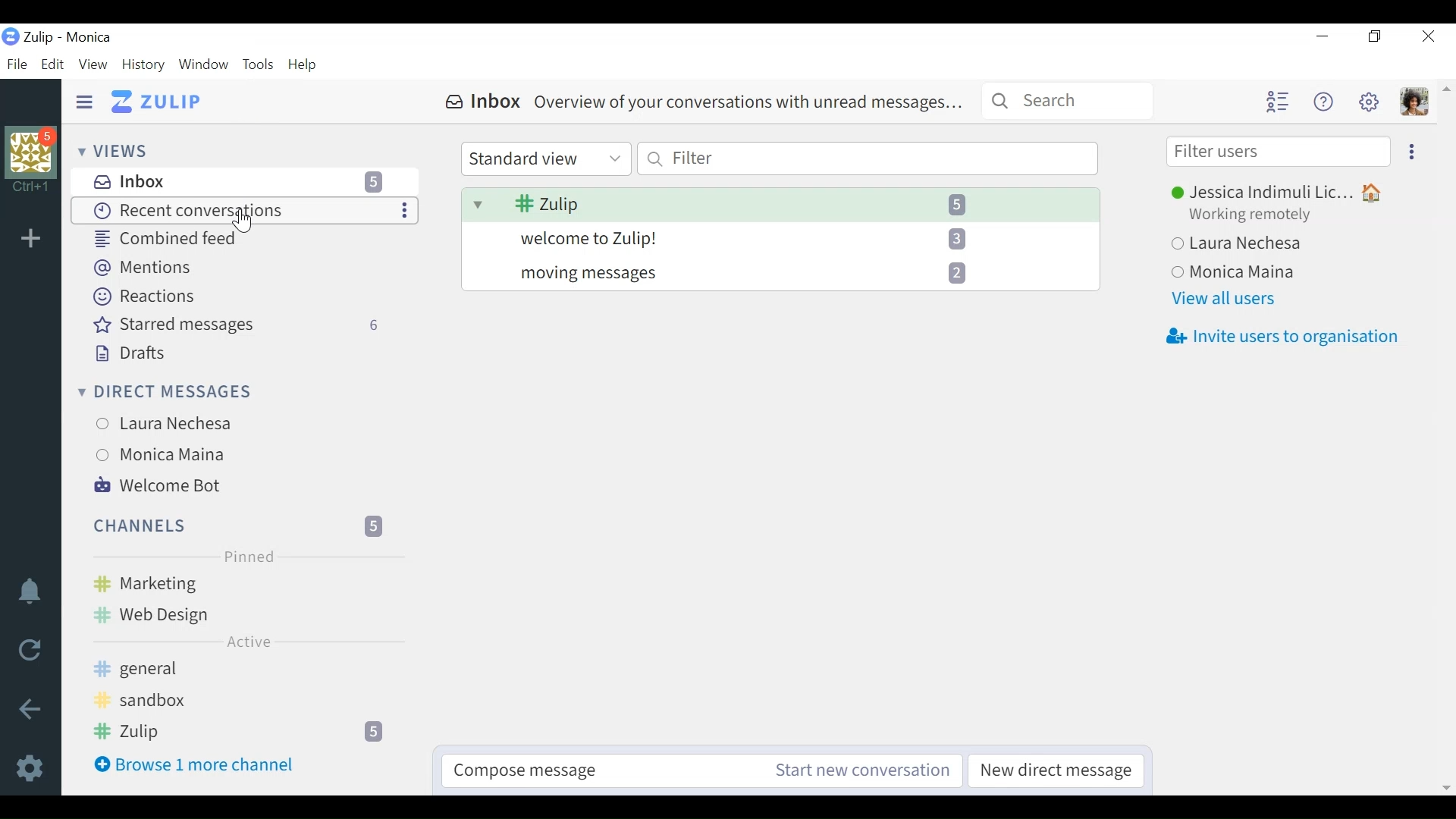 This screenshot has width=1456, height=819. Describe the element at coordinates (144, 65) in the screenshot. I see `History` at that location.